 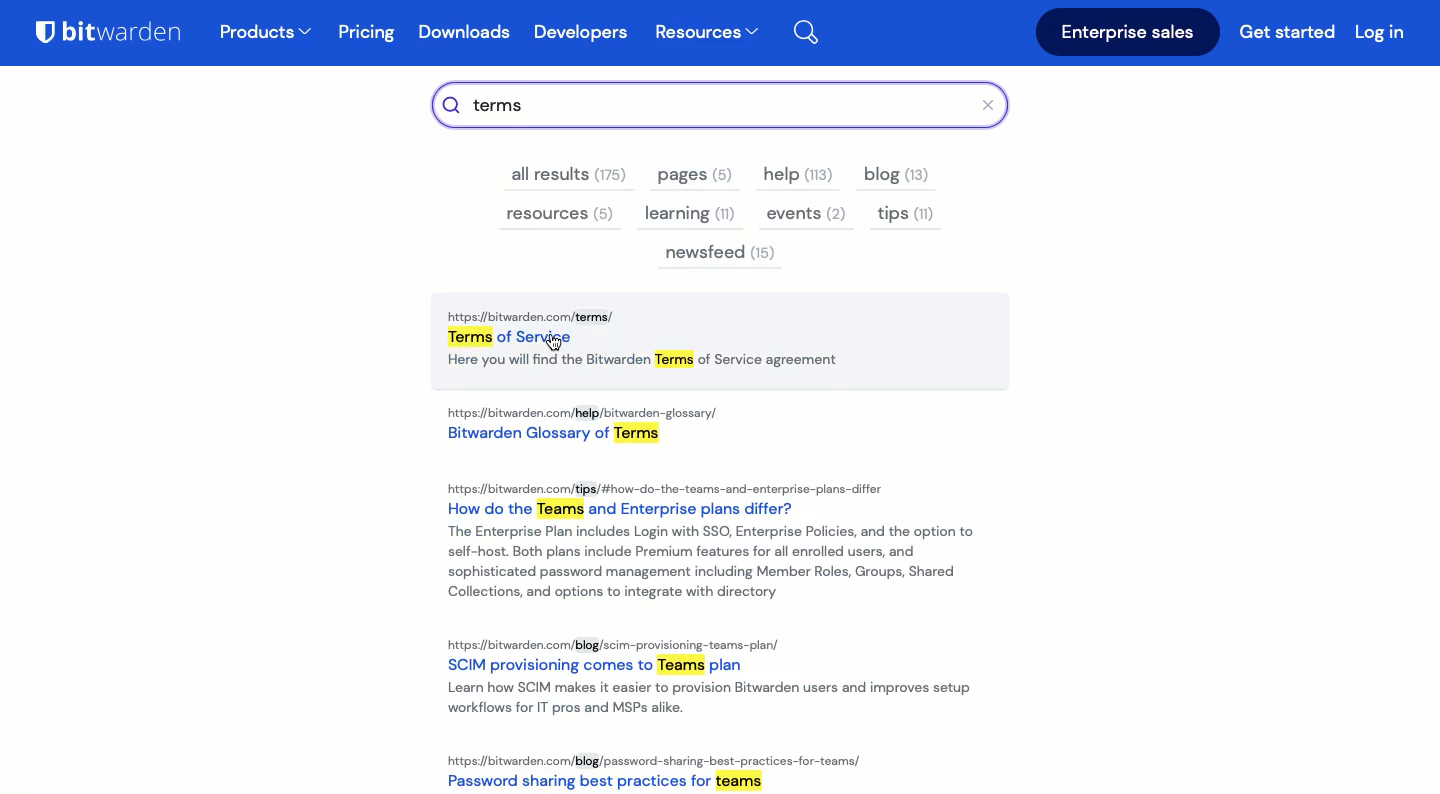 I want to click on resources, so click(x=560, y=216).